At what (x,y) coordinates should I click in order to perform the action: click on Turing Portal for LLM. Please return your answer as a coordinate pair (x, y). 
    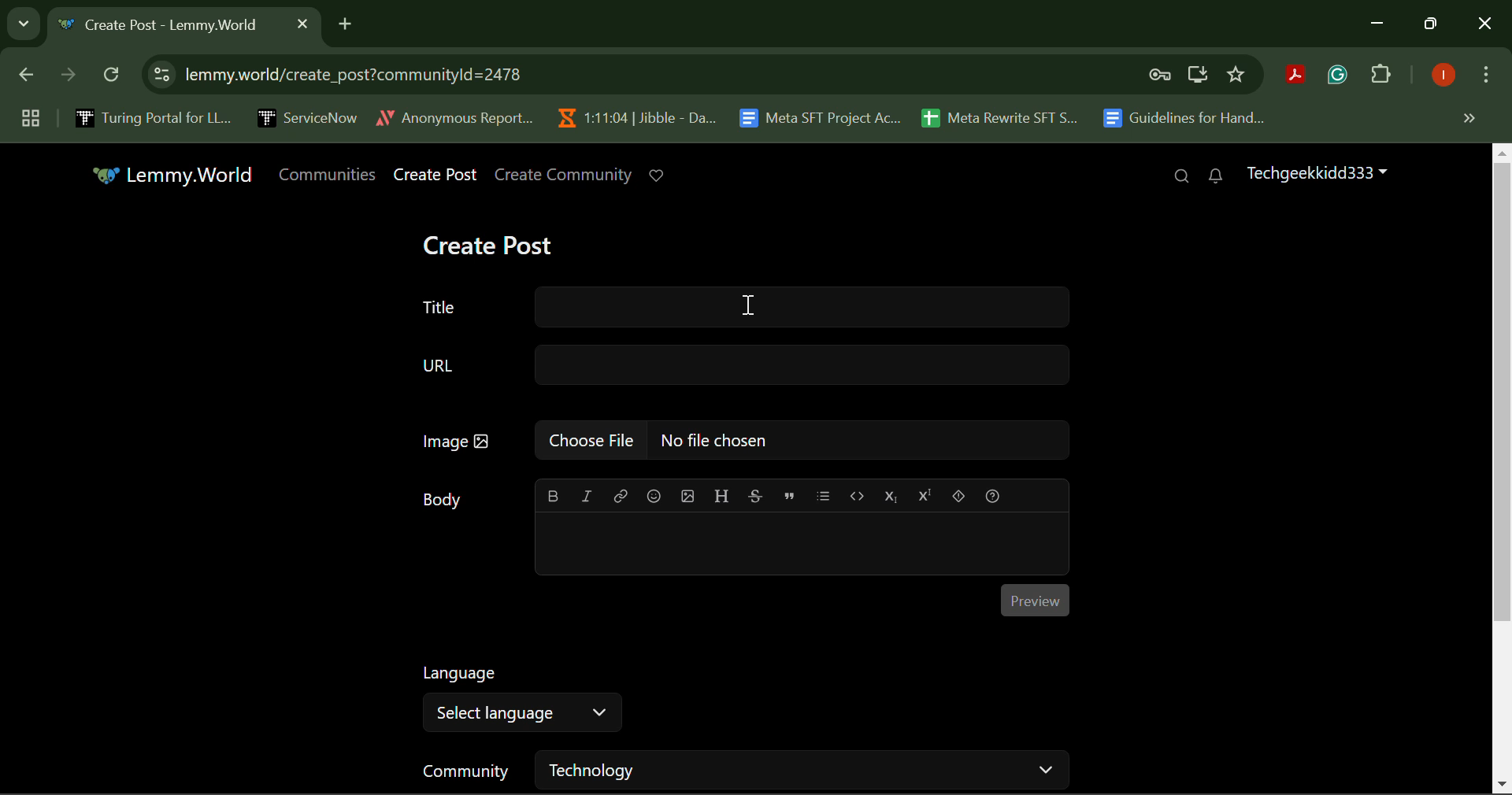
    Looking at the image, I should click on (150, 117).